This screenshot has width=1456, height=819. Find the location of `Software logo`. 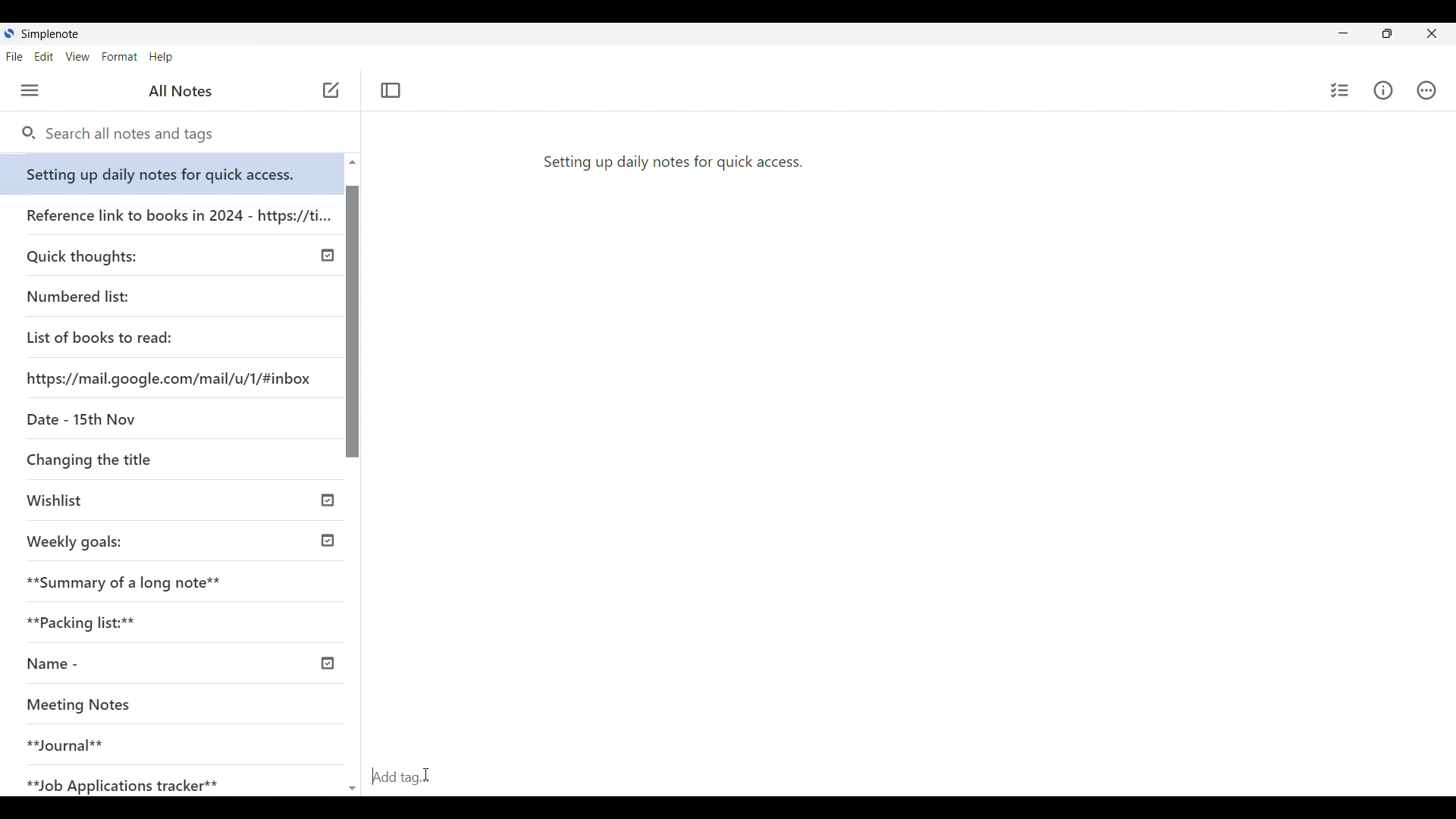

Software logo is located at coordinates (9, 33).